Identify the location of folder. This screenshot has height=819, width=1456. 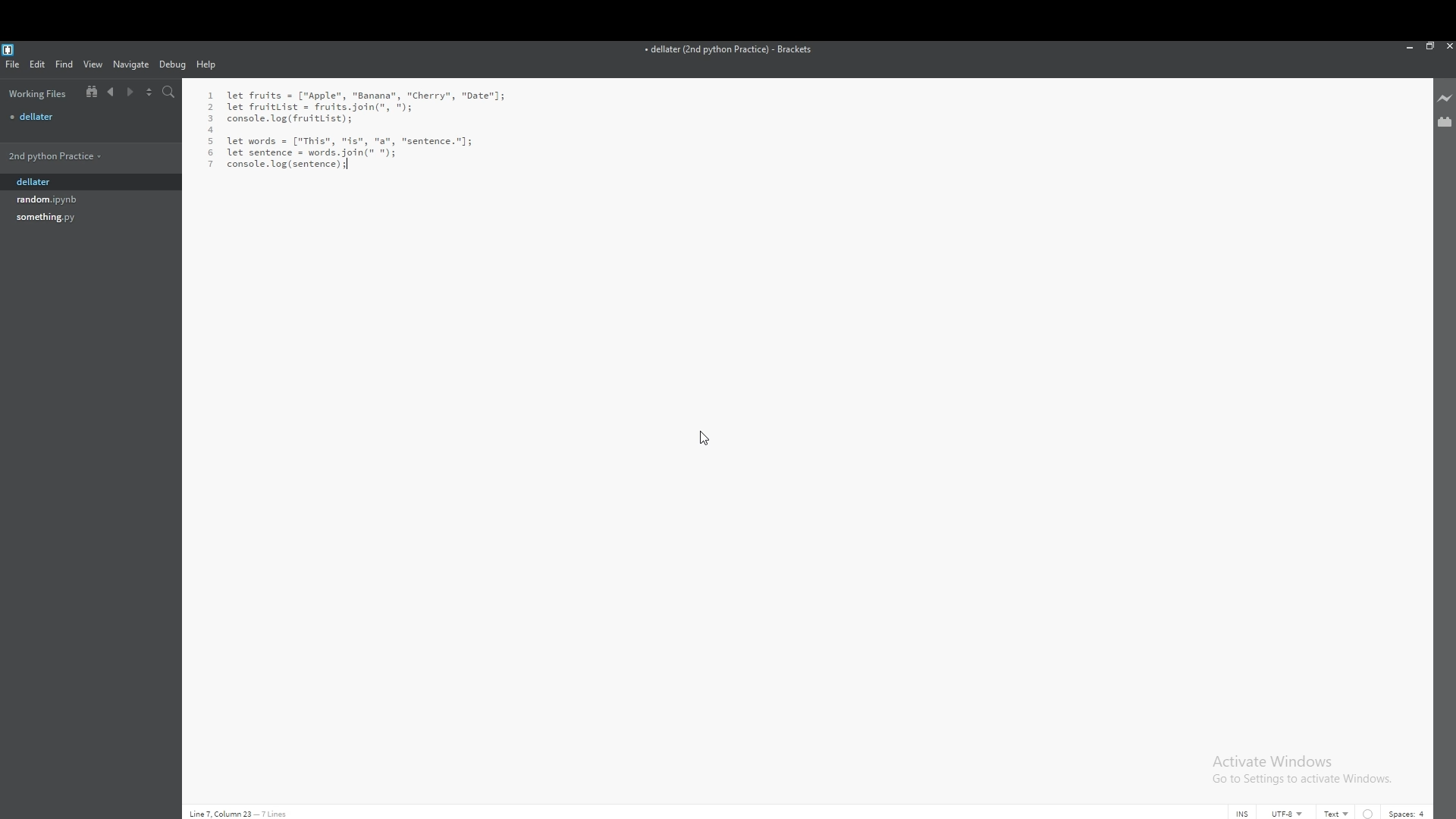
(69, 155).